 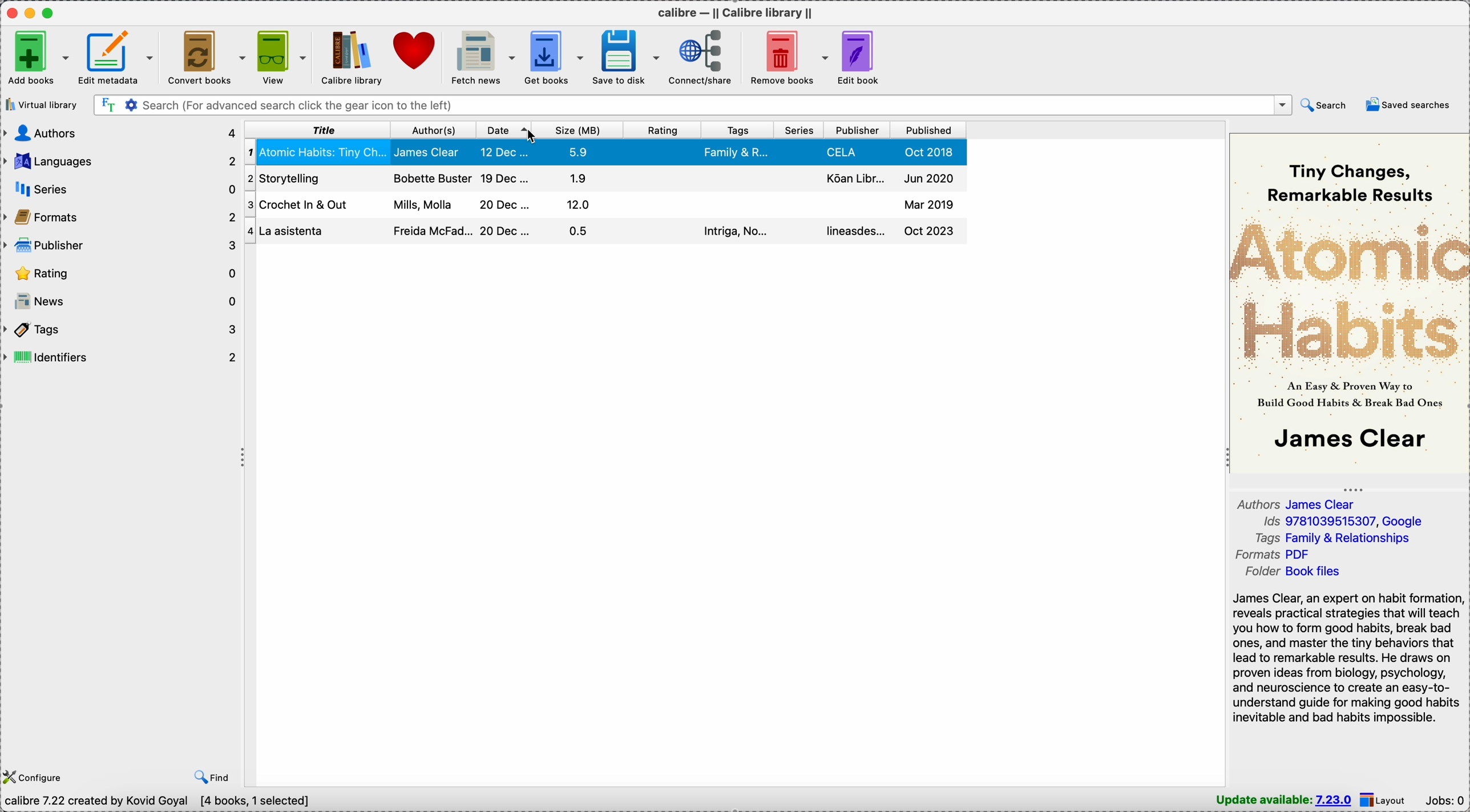 I want to click on folder Book files, so click(x=1295, y=571).